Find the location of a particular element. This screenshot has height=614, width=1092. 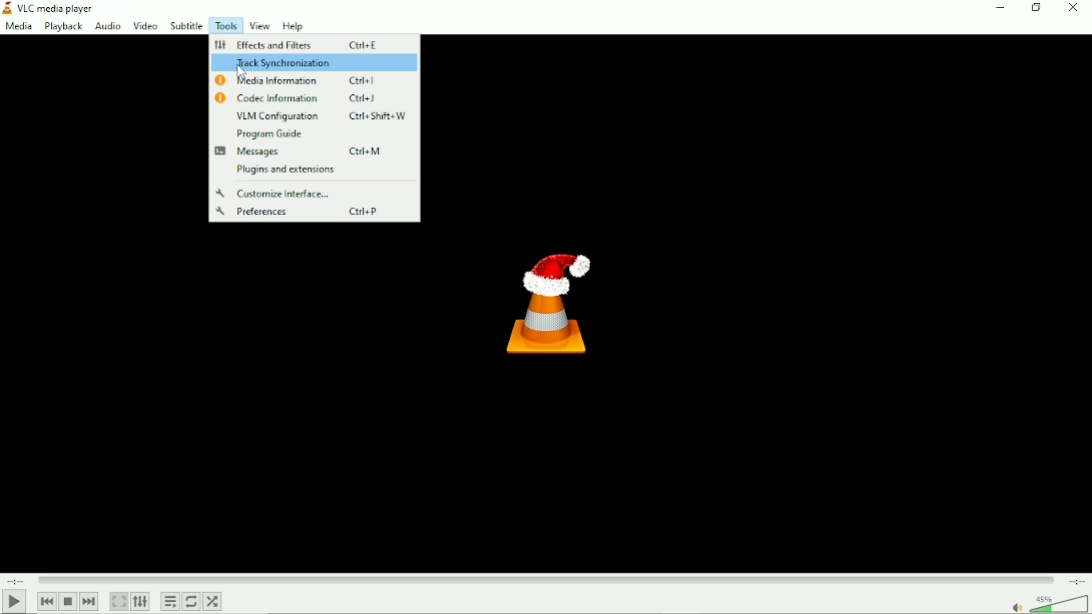

Playback is located at coordinates (62, 27).